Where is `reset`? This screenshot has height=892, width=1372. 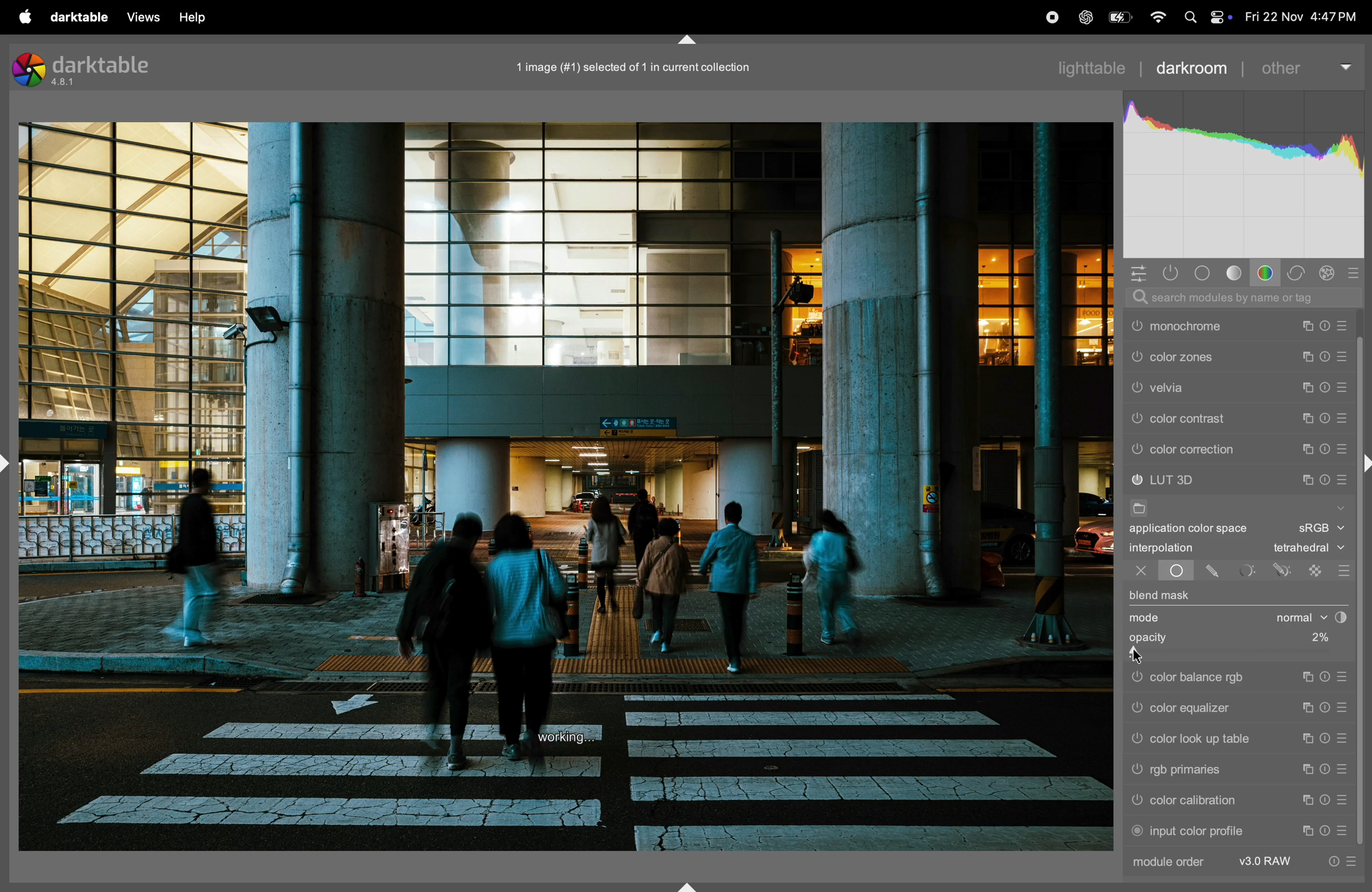 reset is located at coordinates (1325, 770).